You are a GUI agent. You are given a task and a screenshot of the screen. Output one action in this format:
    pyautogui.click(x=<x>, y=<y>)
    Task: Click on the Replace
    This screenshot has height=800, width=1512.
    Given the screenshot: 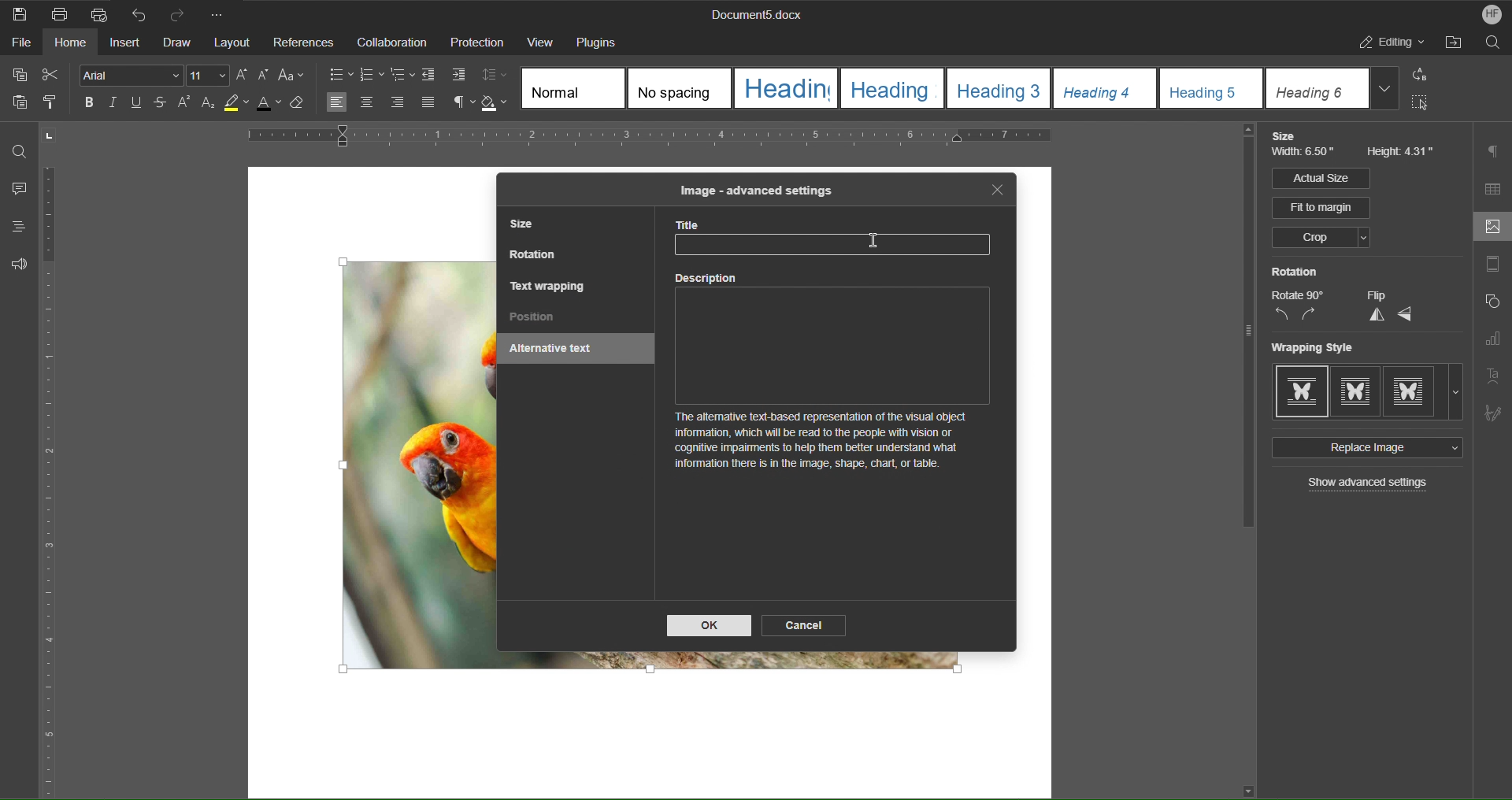 What is the action you would take?
    pyautogui.click(x=1425, y=76)
    